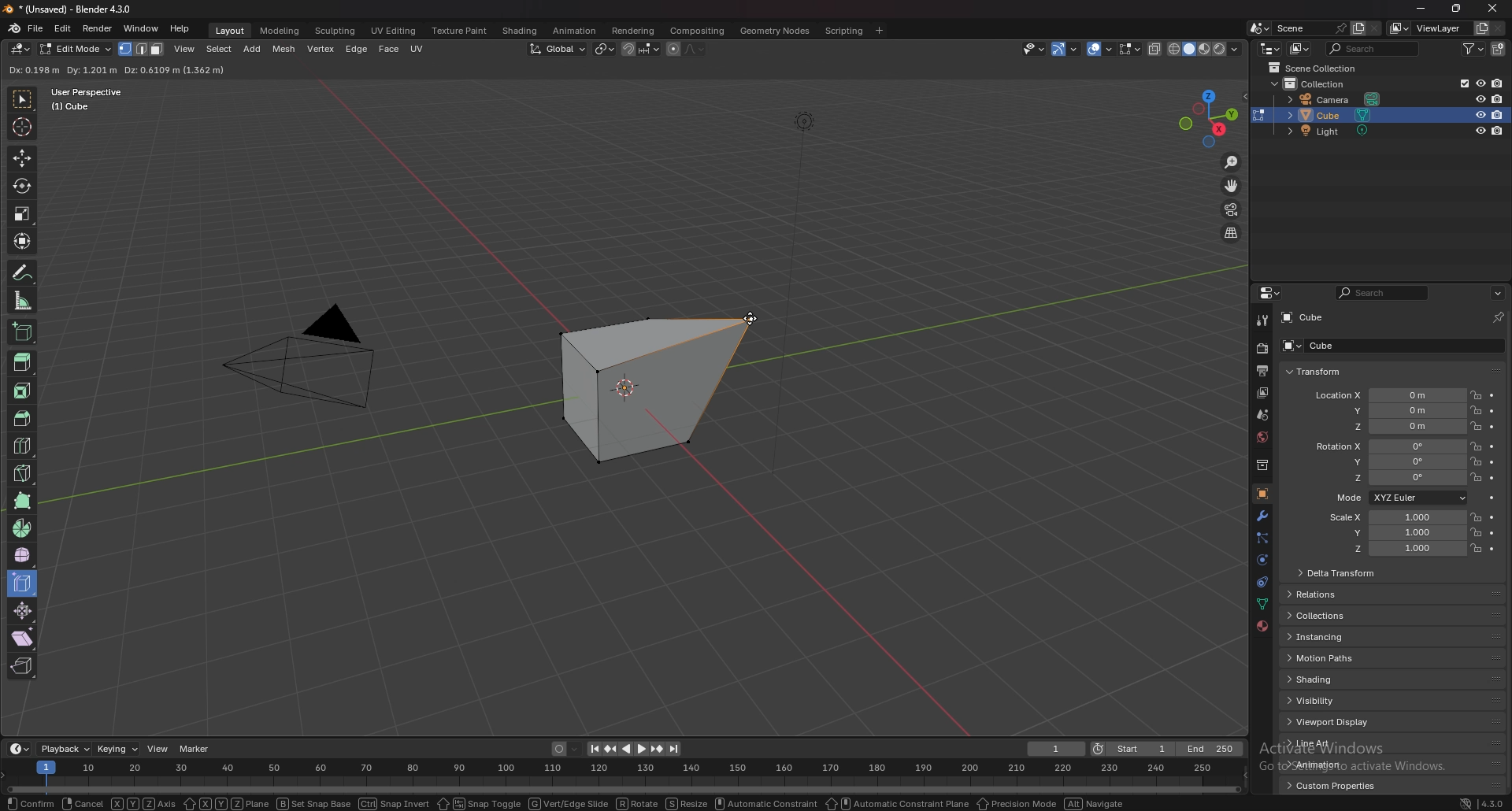 The height and width of the screenshot is (811, 1512). What do you see at coordinates (77, 49) in the screenshot?
I see `object mode` at bounding box center [77, 49].